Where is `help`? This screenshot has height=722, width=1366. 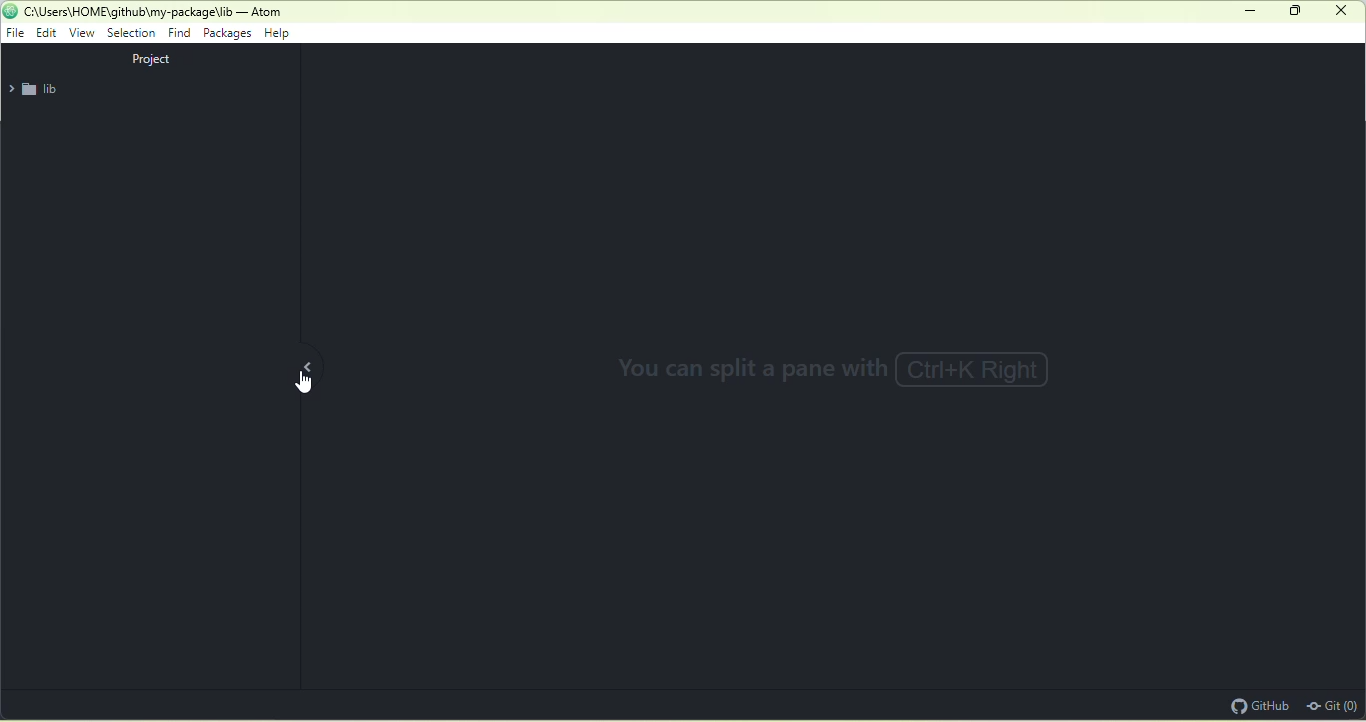 help is located at coordinates (283, 35).